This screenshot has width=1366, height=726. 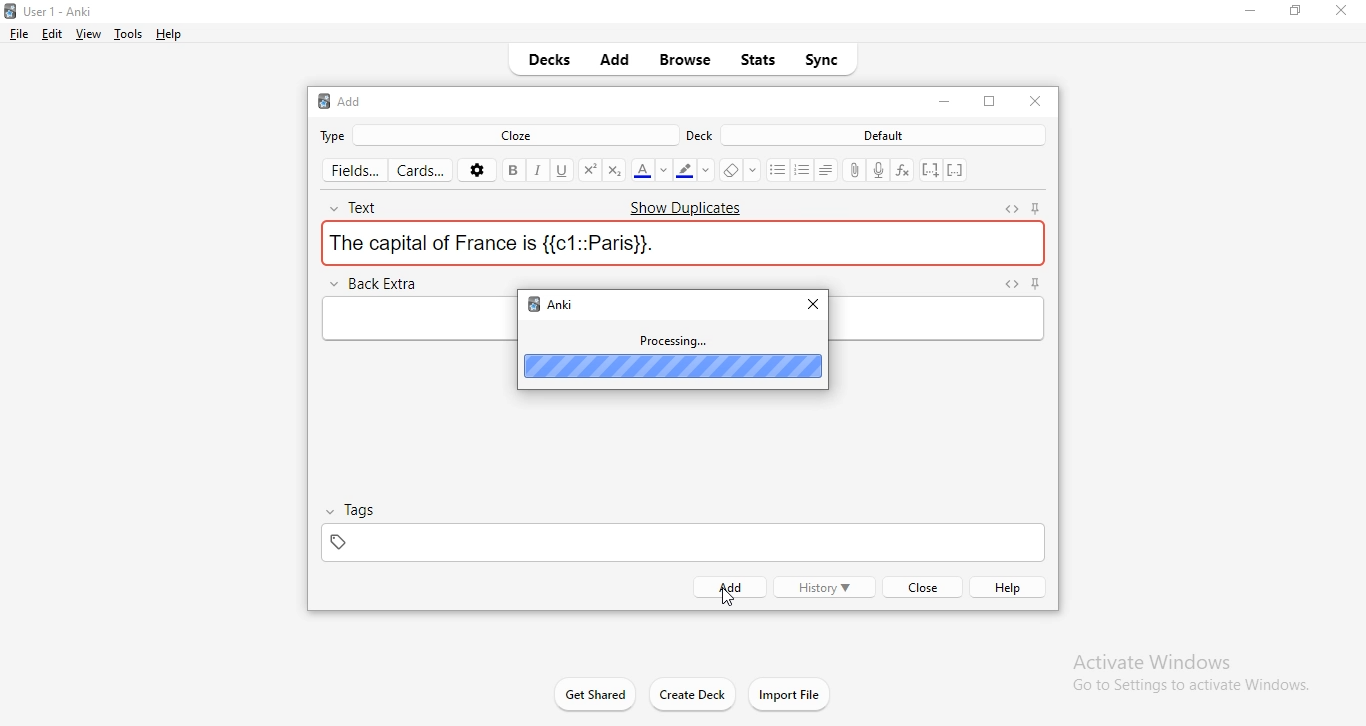 I want to click on underline, so click(x=564, y=169).